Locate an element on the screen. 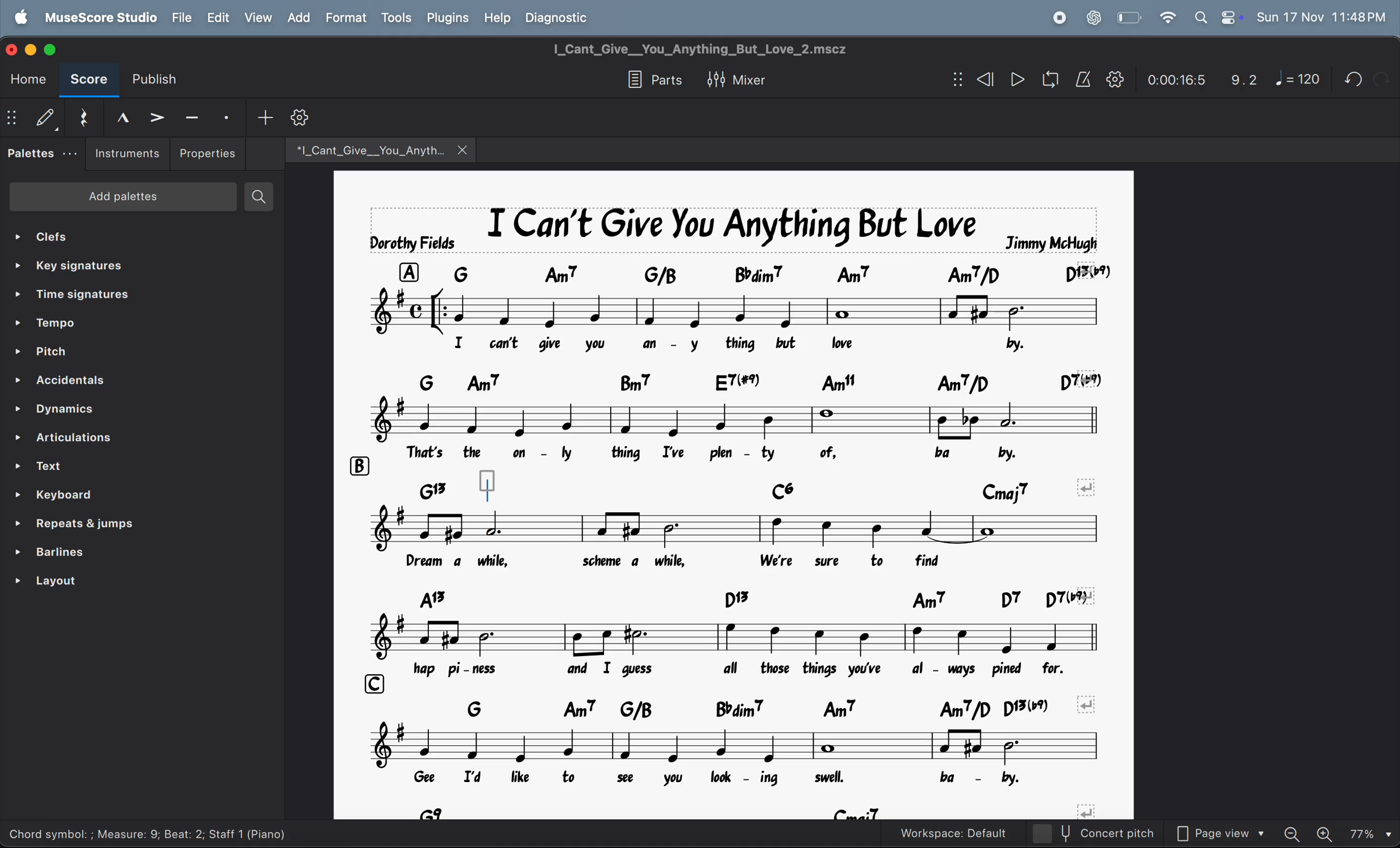 Image resolution: width=1400 pixels, height=848 pixels. tools is located at coordinates (396, 18).